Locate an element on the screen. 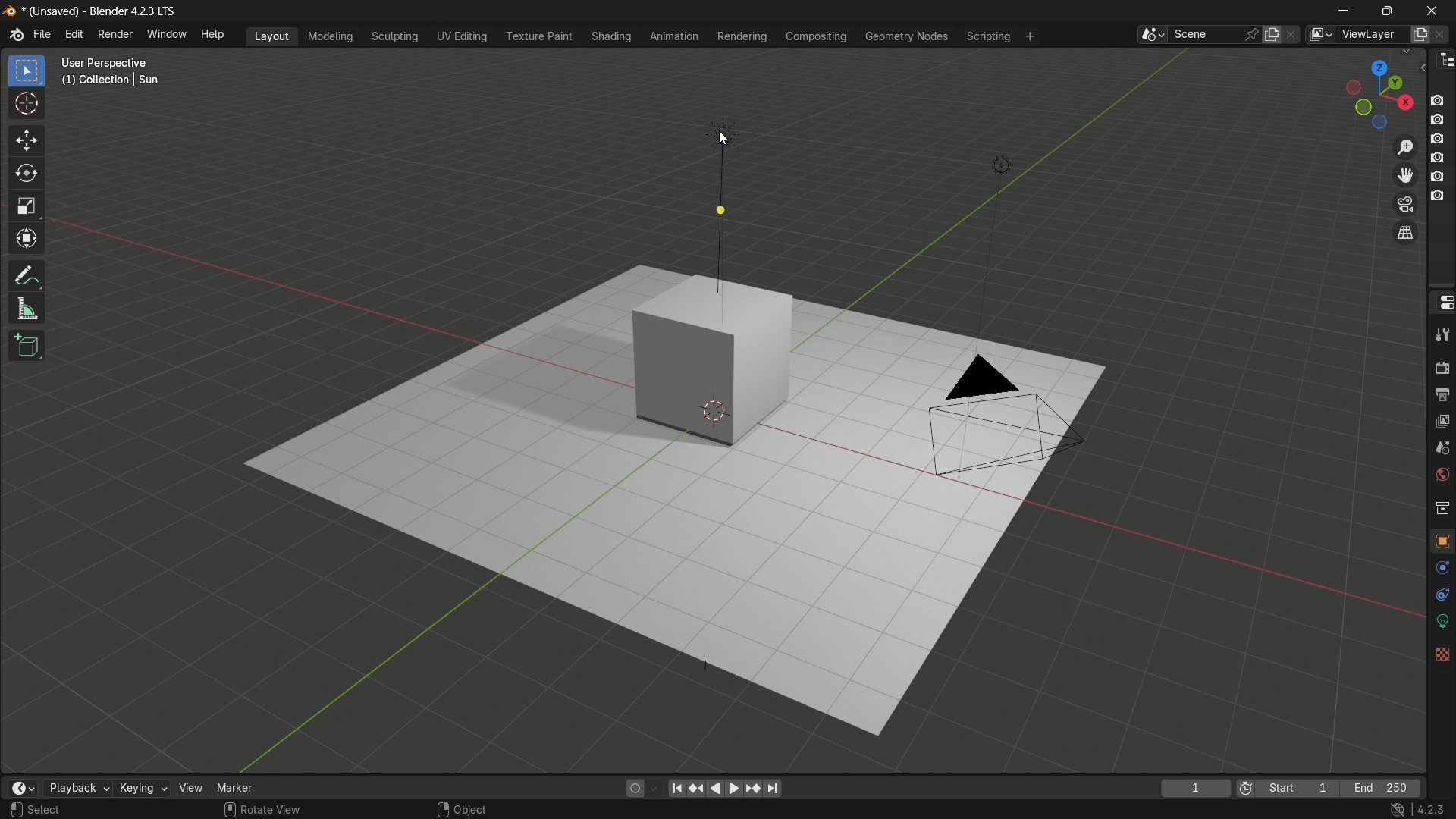 This screenshot has height=819, width=1456. jump to keyframe is located at coordinates (752, 789).